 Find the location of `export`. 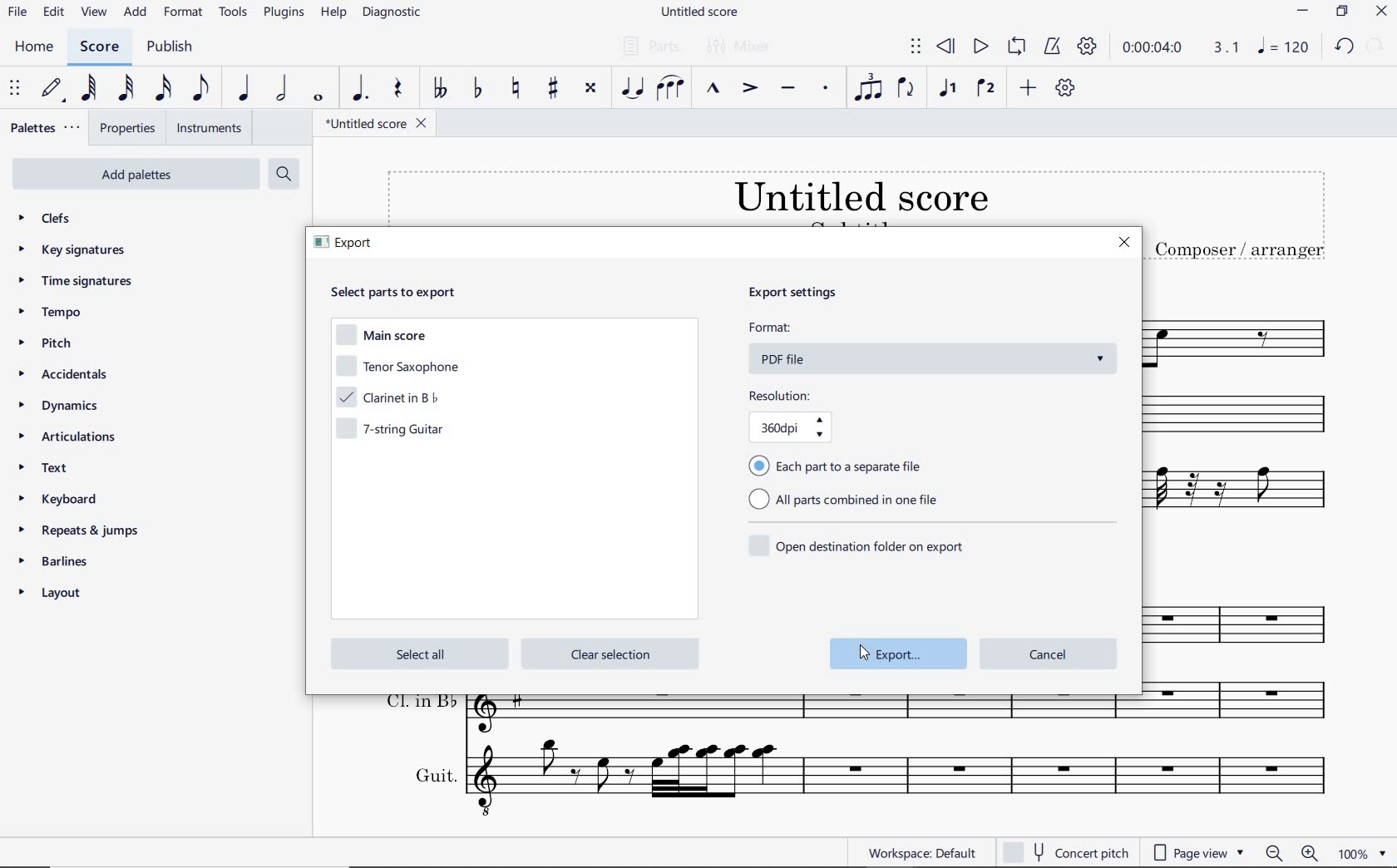

export is located at coordinates (900, 653).